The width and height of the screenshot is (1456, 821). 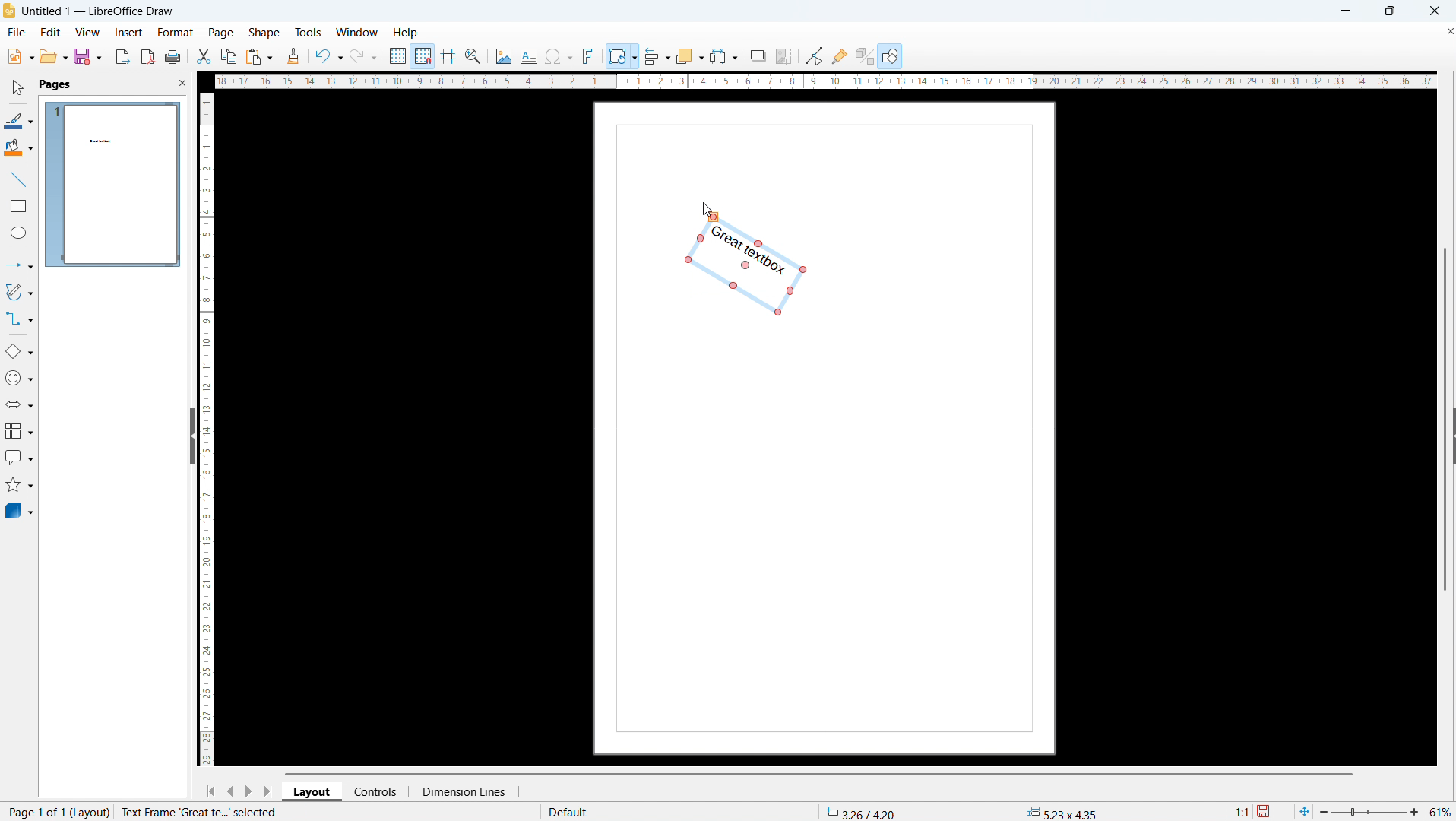 I want to click on symbol shapes, so click(x=19, y=378).